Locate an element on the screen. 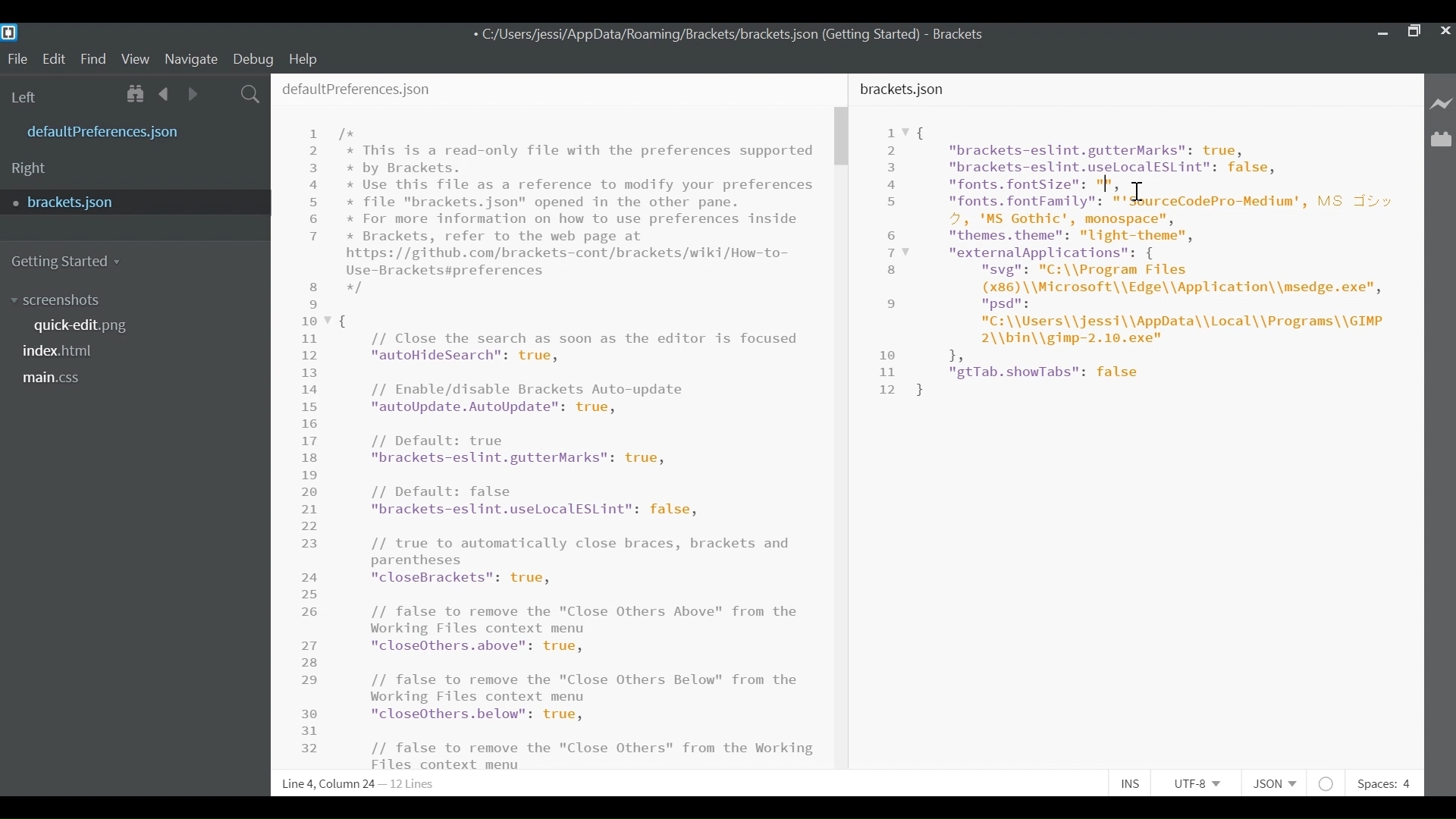  quick-edit.png File is located at coordinates (83, 326).